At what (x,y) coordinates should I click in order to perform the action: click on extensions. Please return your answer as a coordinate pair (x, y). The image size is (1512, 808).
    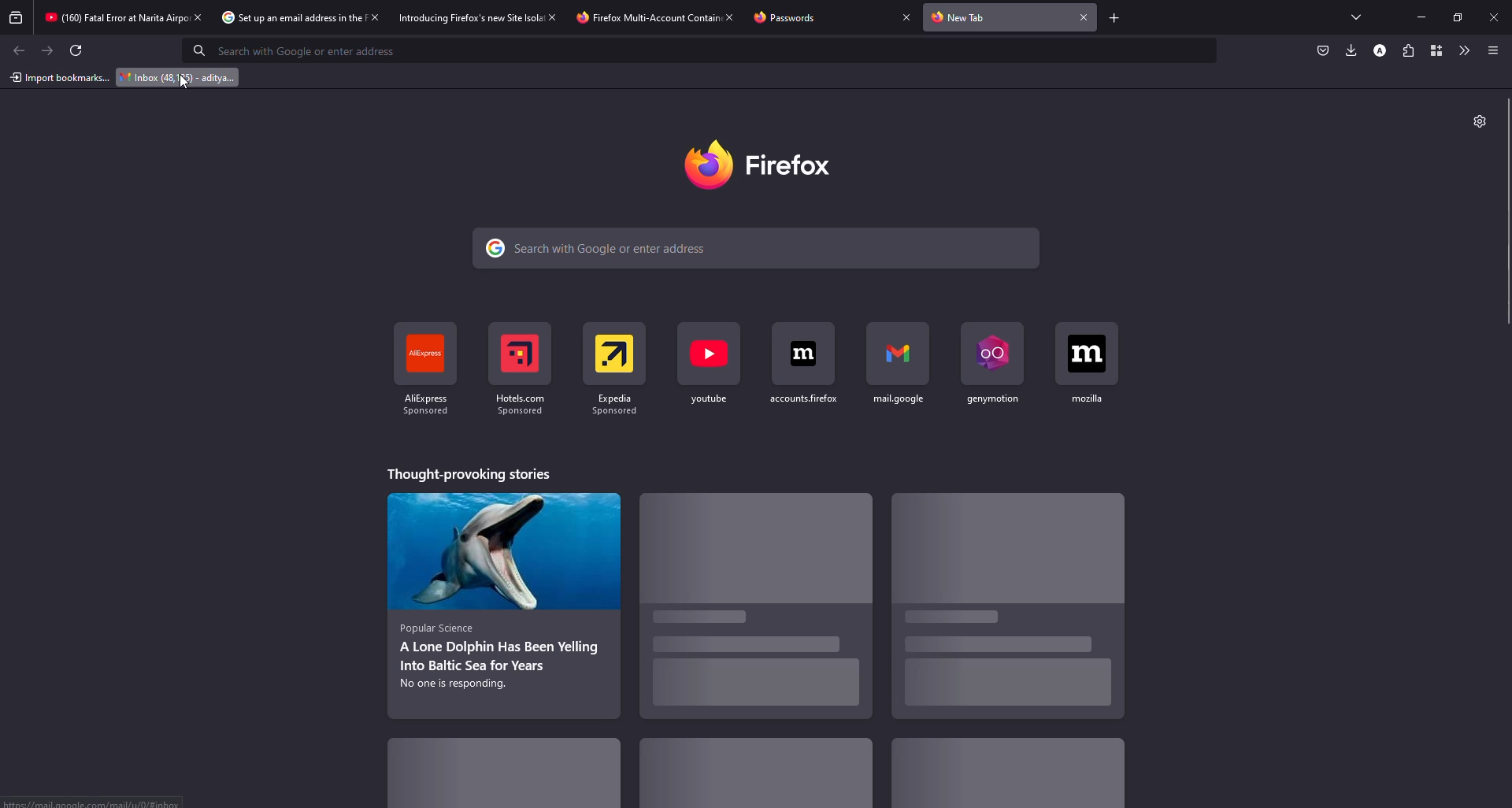
    Looking at the image, I should click on (1406, 50).